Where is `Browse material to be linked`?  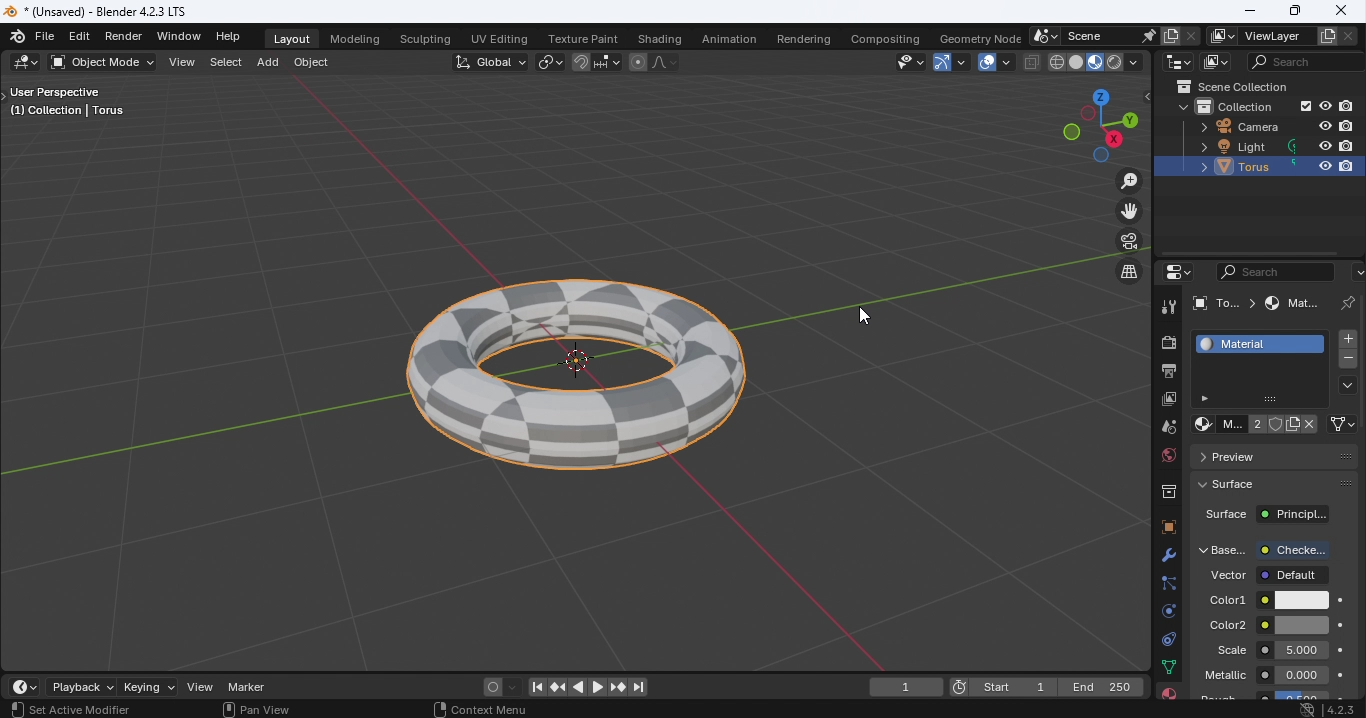 Browse material to be linked is located at coordinates (1202, 424).